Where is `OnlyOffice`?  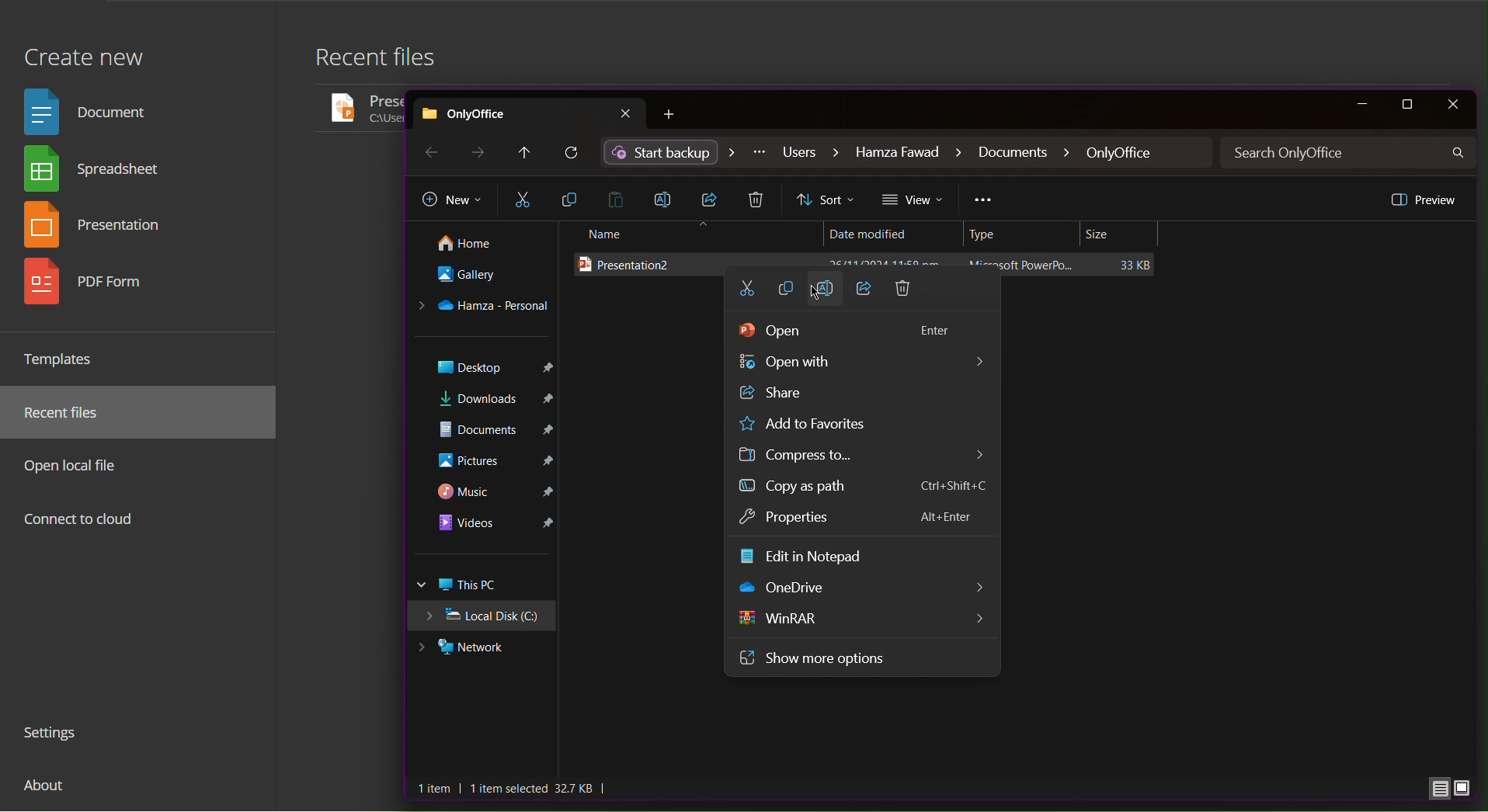
OnlyOffice is located at coordinates (530, 111).